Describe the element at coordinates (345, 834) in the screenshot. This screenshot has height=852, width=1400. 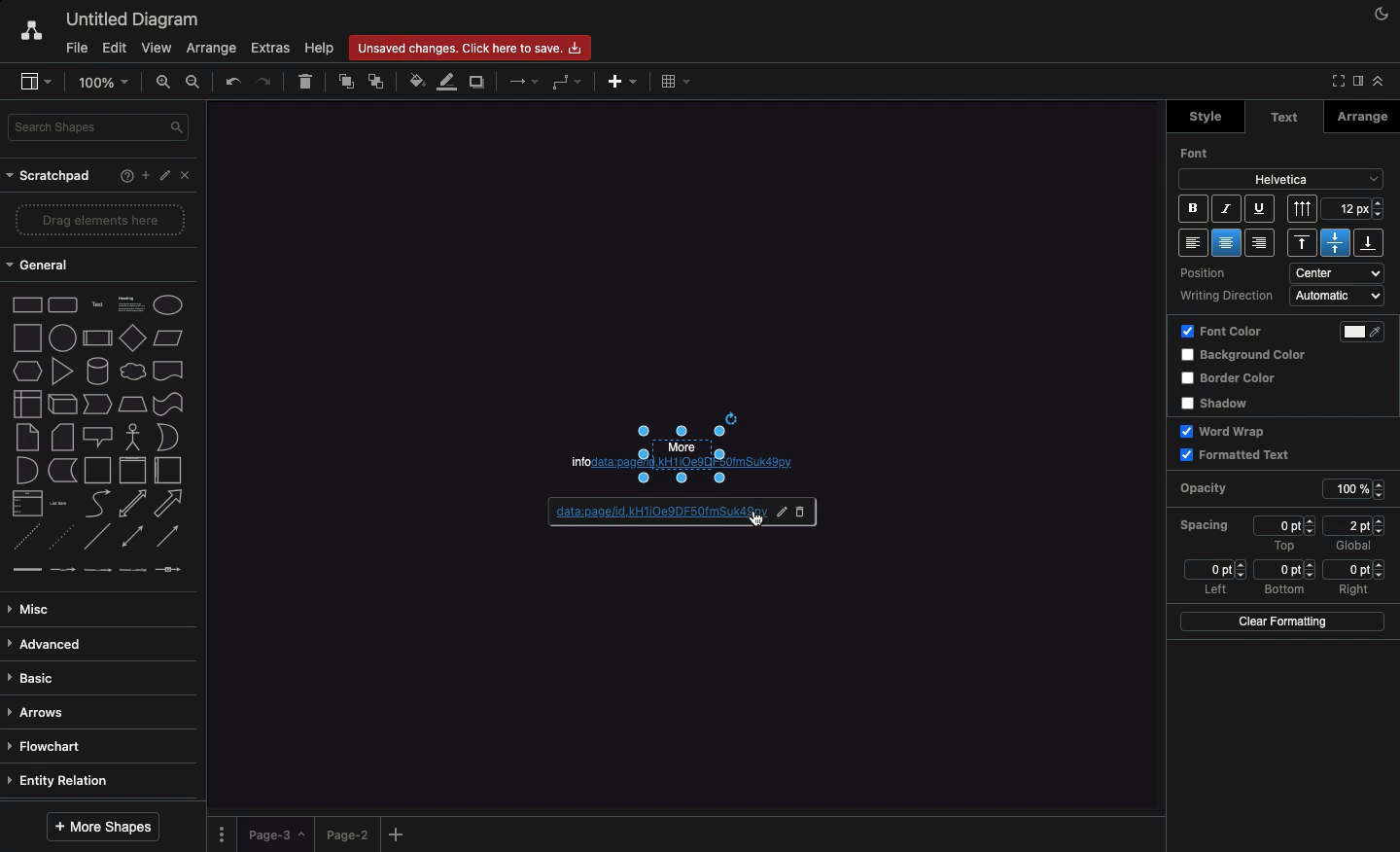
I see `Page 2` at that location.